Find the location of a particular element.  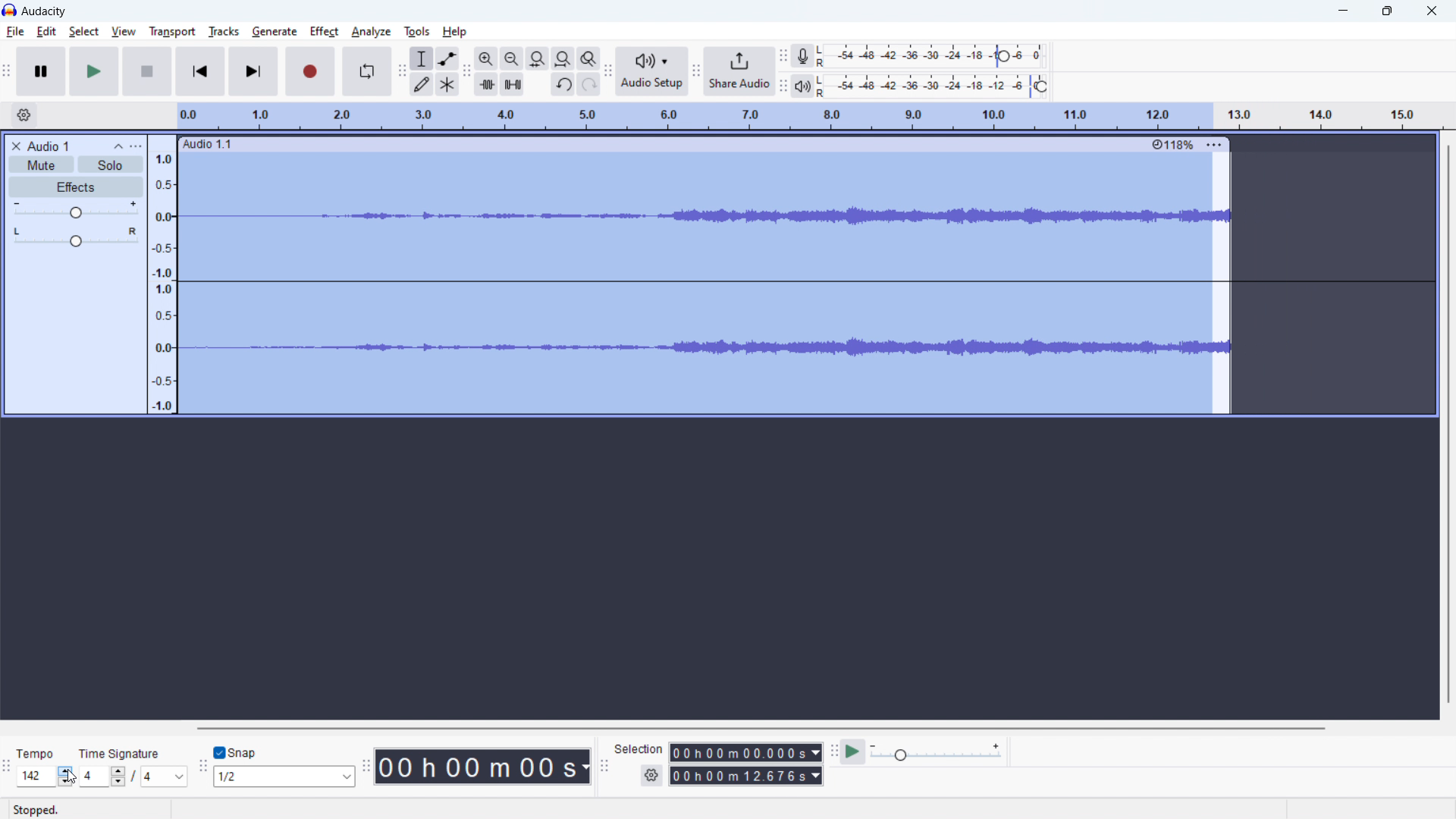

play is located at coordinates (94, 72).